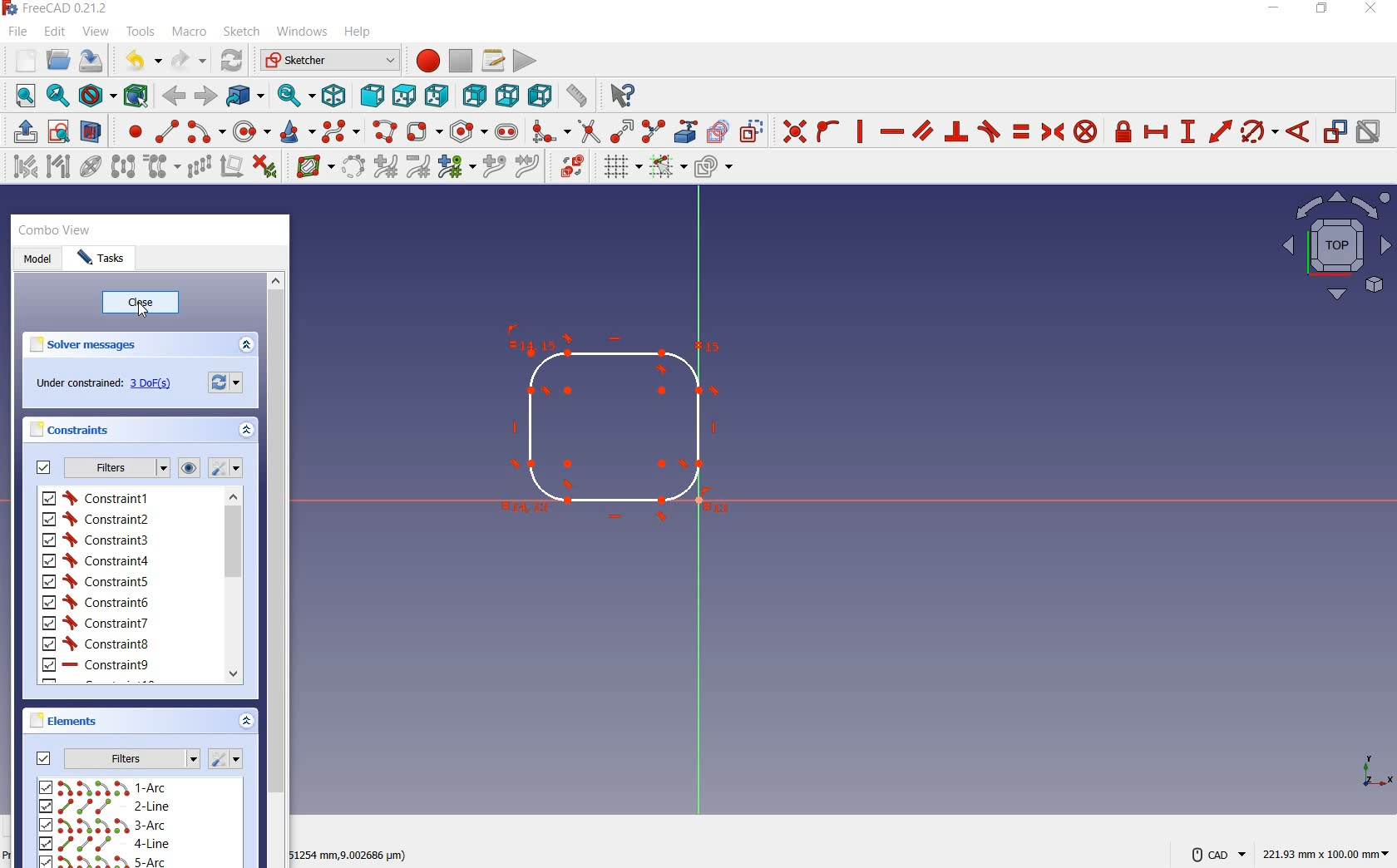  Describe the element at coordinates (467, 131) in the screenshot. I see `create regular polygon` at that location.